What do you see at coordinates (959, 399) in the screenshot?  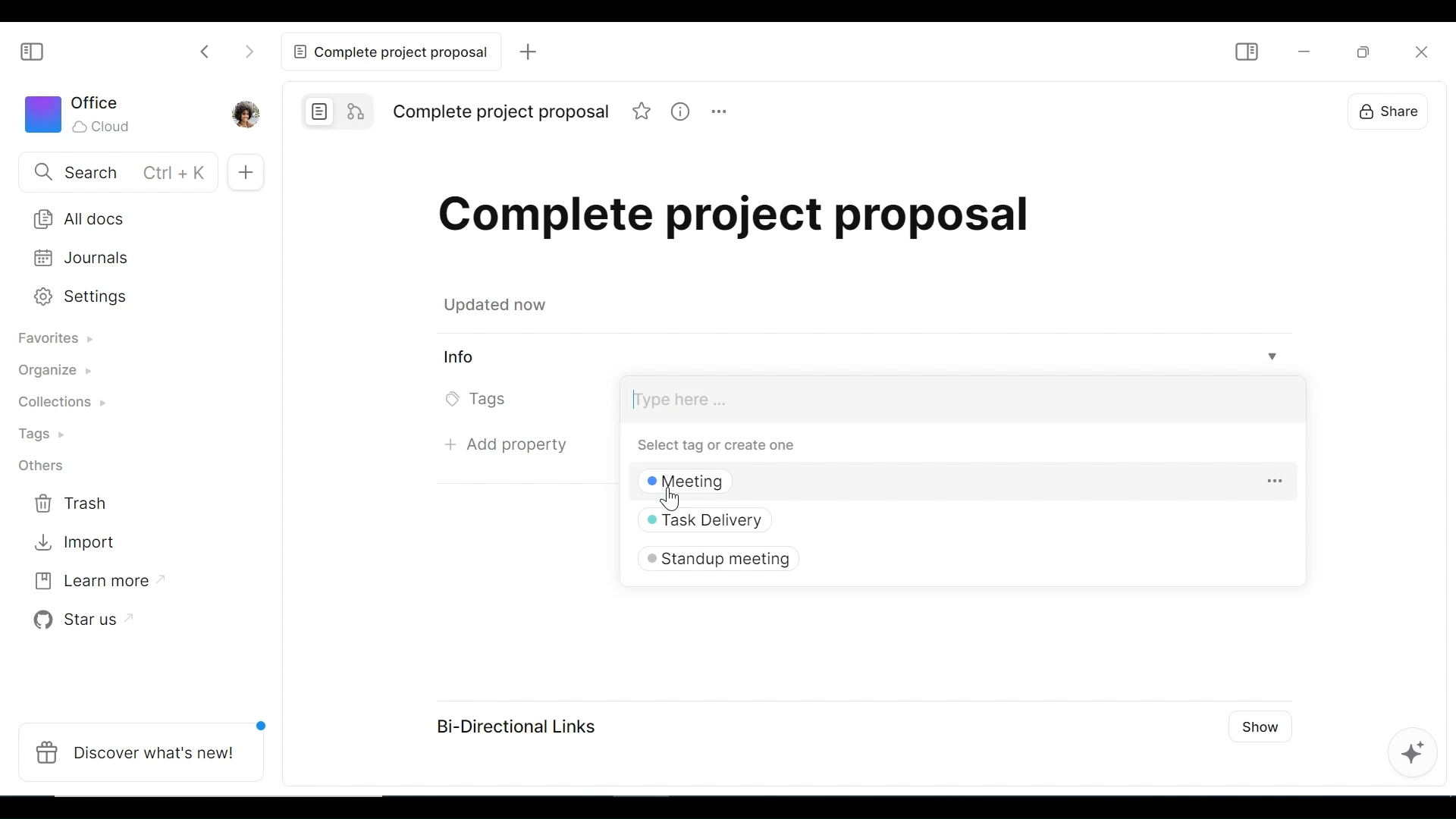 I see `Tags' Field` at bounding box center [959, 399].